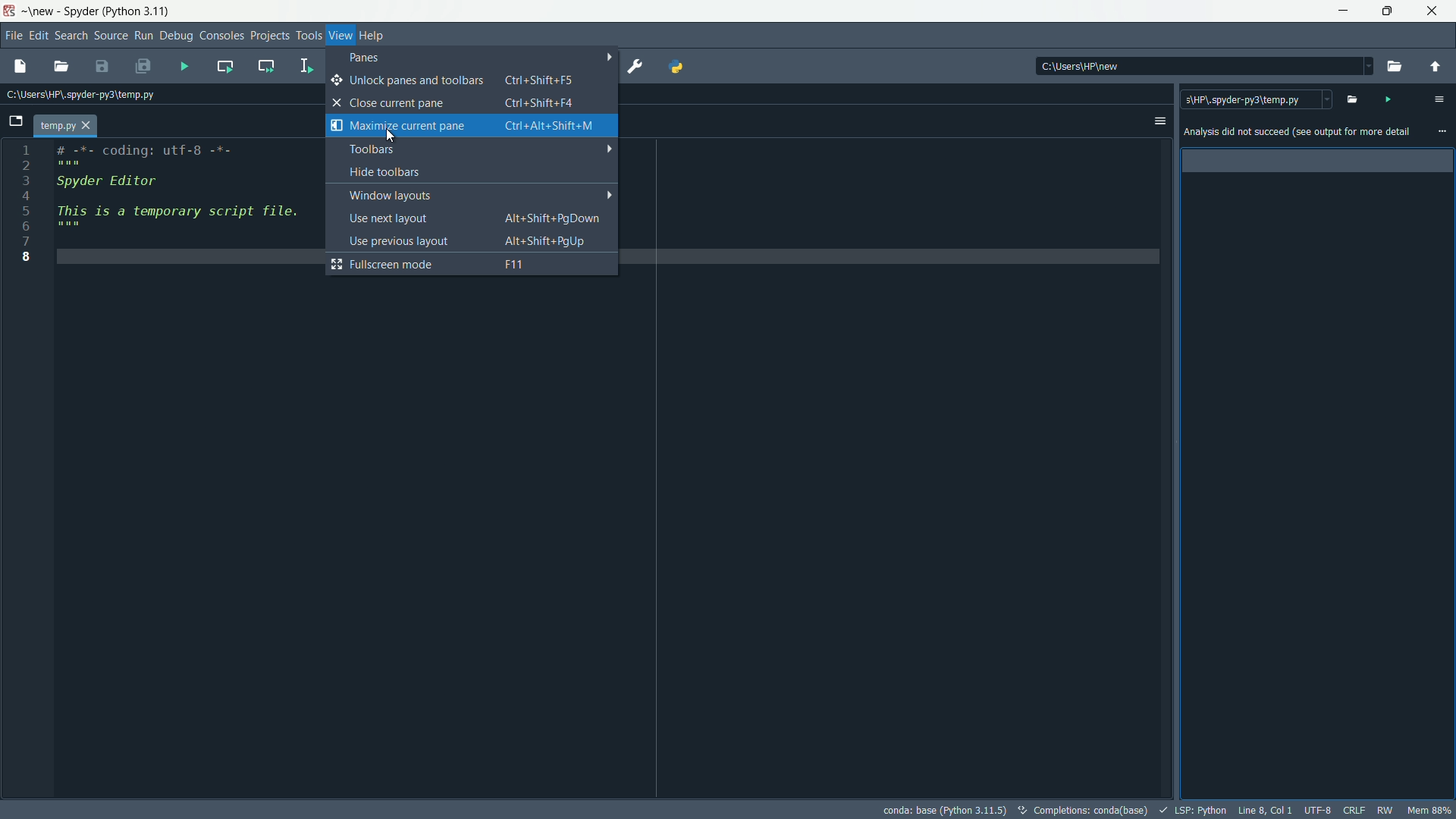  What do you see at coordinates (30, 243) in the screenshot?
I see `7` at bounding box center [30, 243].